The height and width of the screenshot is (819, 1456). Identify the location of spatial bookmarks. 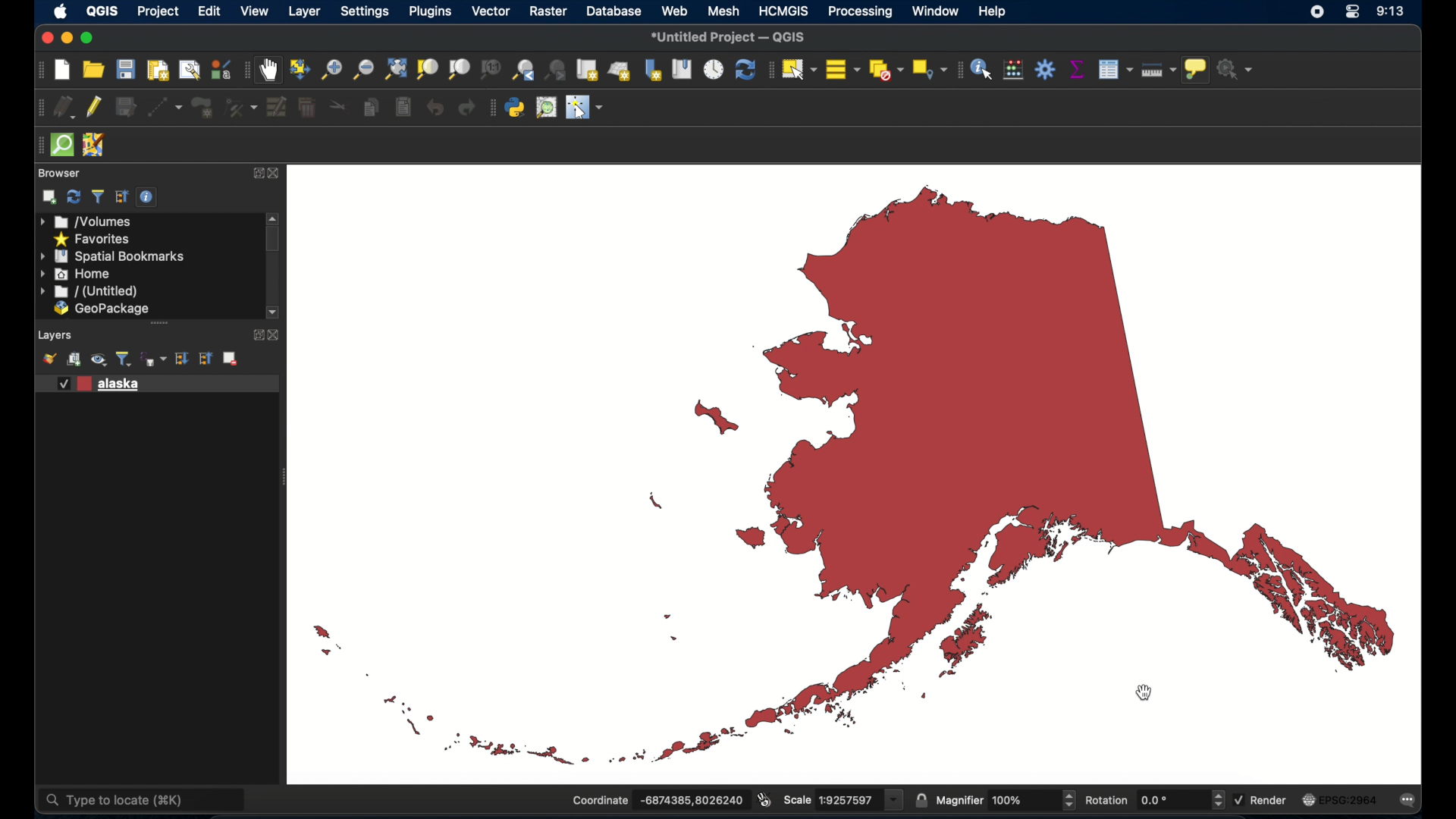
(113, 256).